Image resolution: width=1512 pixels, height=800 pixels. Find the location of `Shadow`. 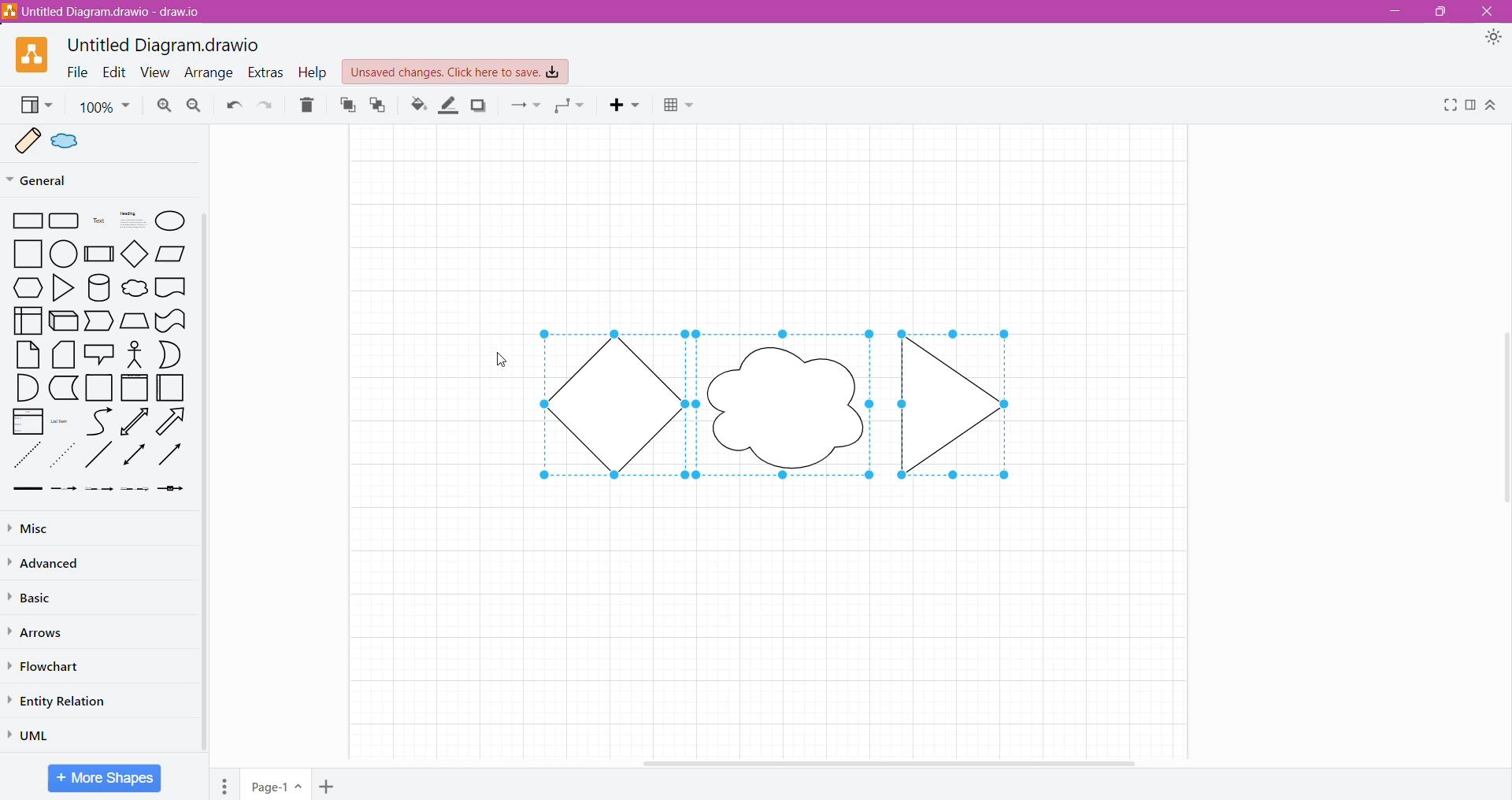

Shadow is located at coordinates (483, 108).